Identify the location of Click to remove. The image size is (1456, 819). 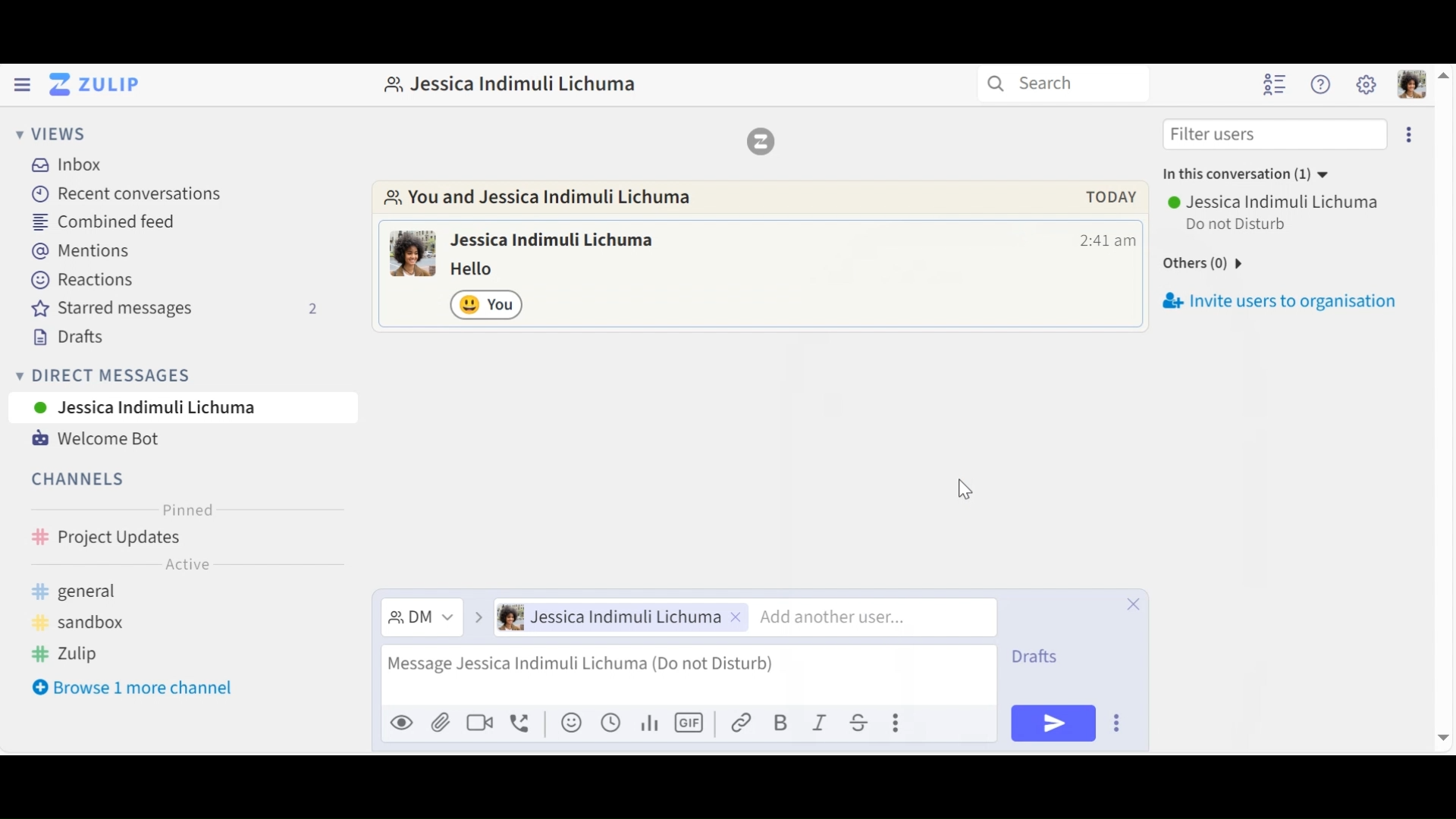
(482, 303).